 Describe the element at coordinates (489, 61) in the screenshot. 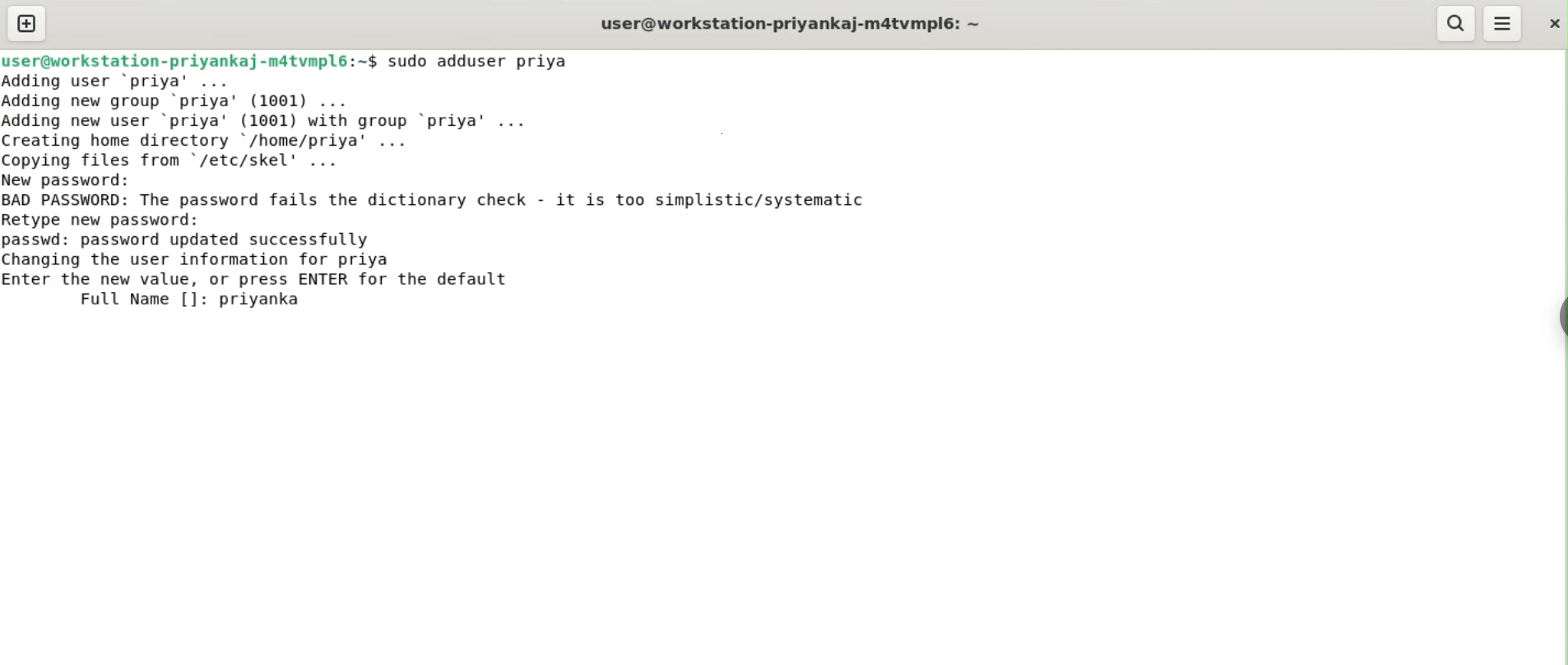

I see `sudo adduser priya` at that location.